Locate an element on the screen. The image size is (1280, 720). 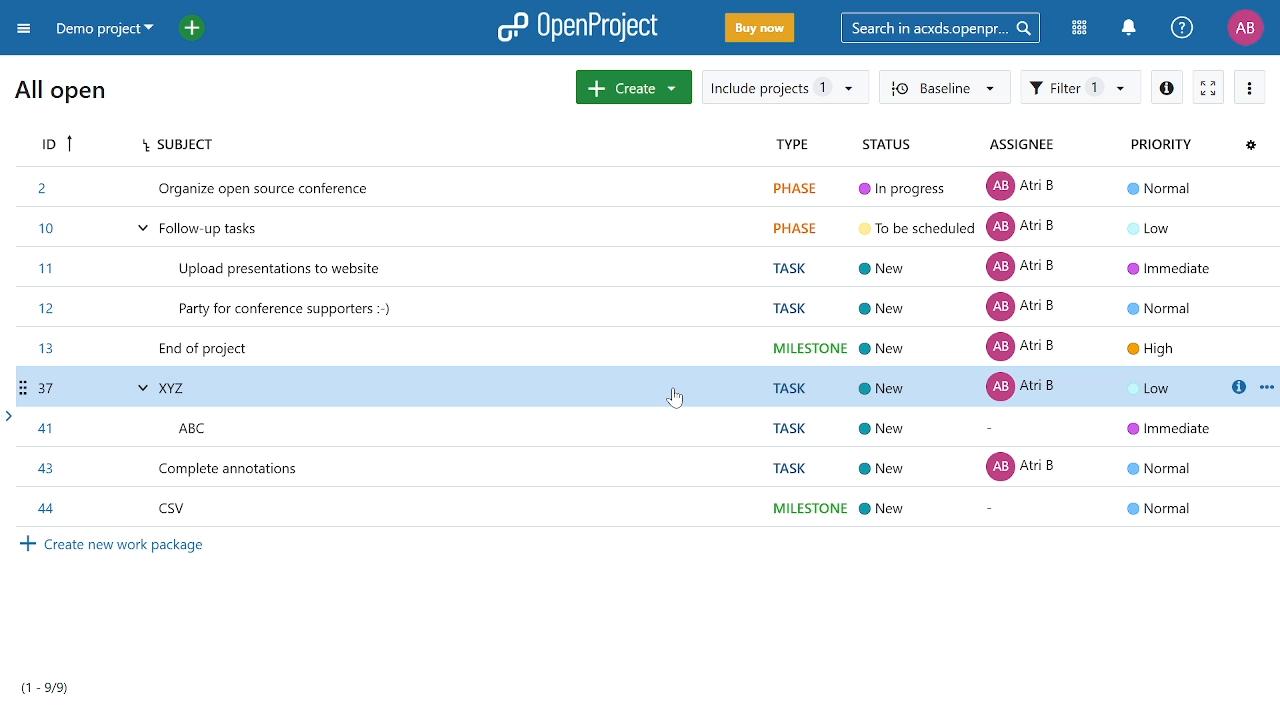
OpenProject logo is located at coordinates (582, 24).